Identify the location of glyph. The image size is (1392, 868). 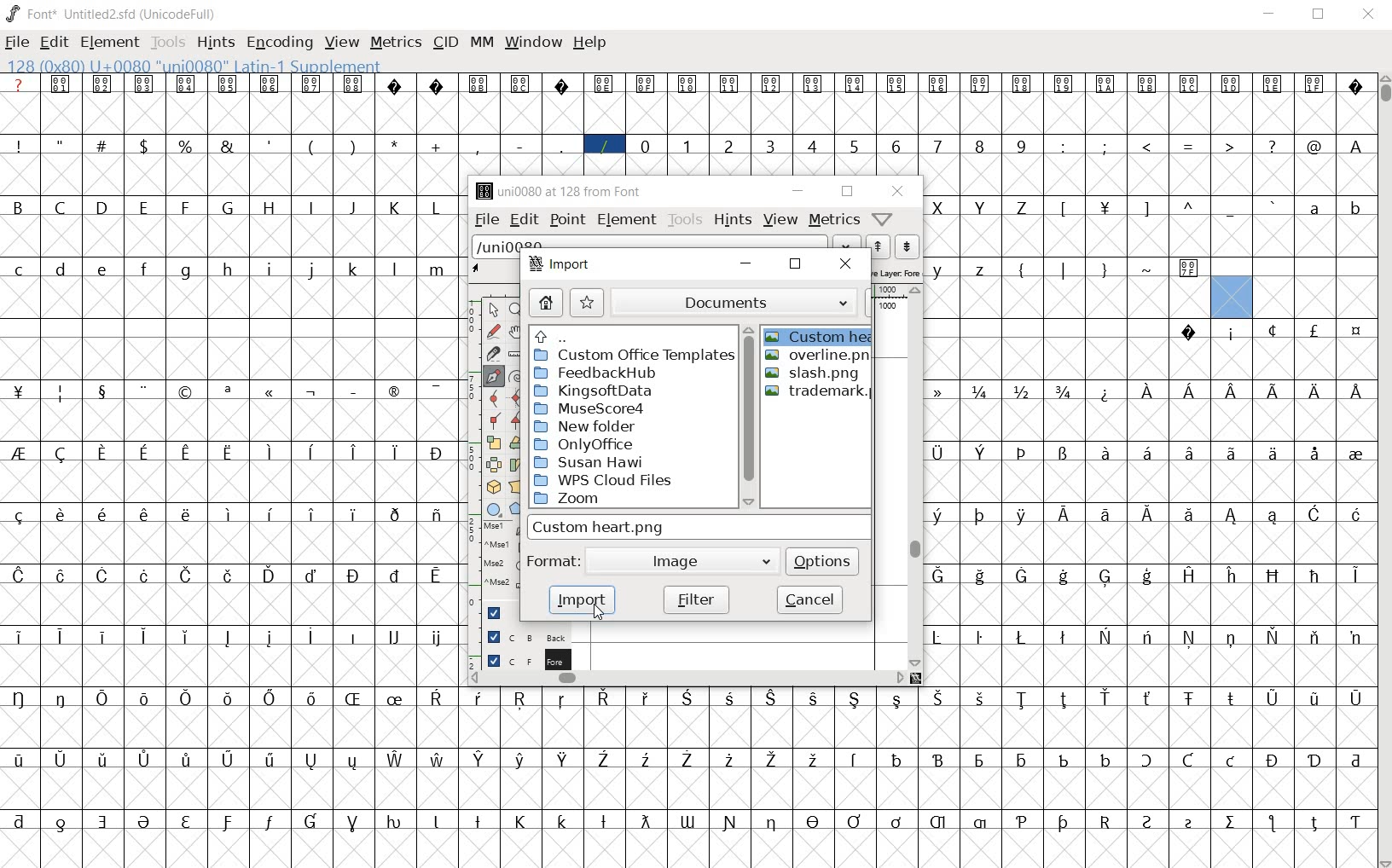
(1231, 639).